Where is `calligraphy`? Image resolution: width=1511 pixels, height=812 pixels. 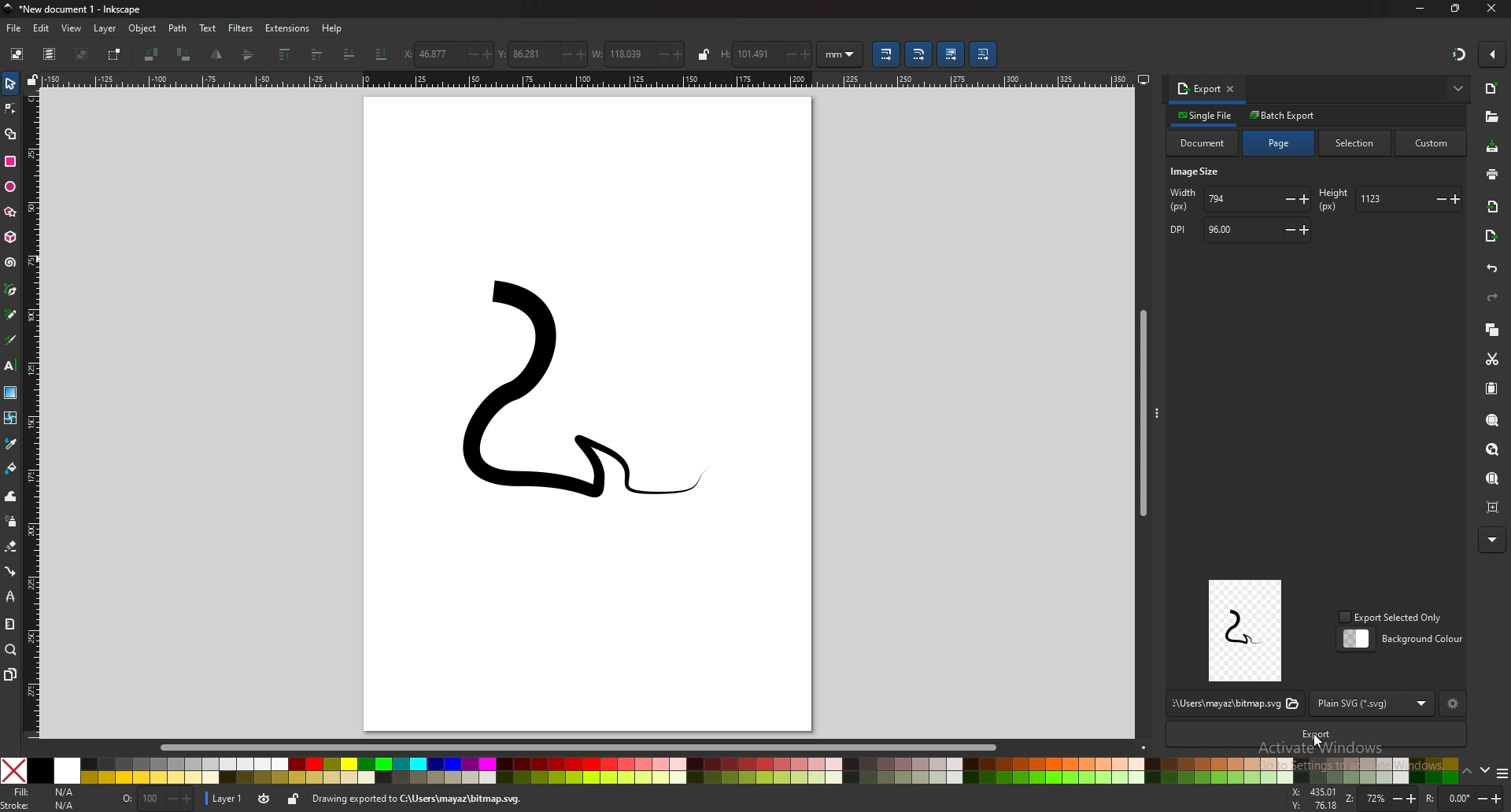 calligraphy is located at coordinates (11, 339).